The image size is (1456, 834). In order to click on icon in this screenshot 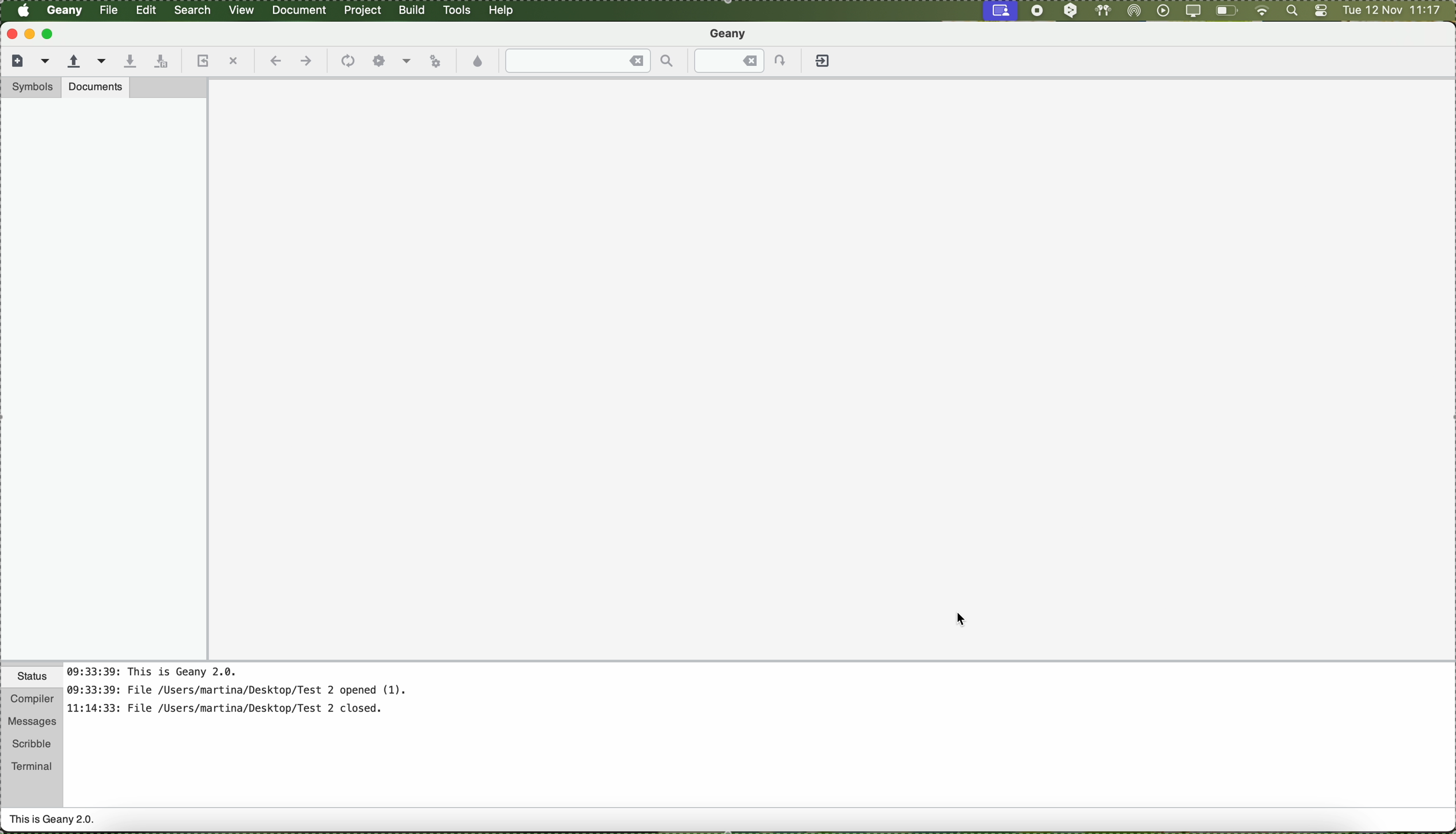, I will do `click(346, 62)`.